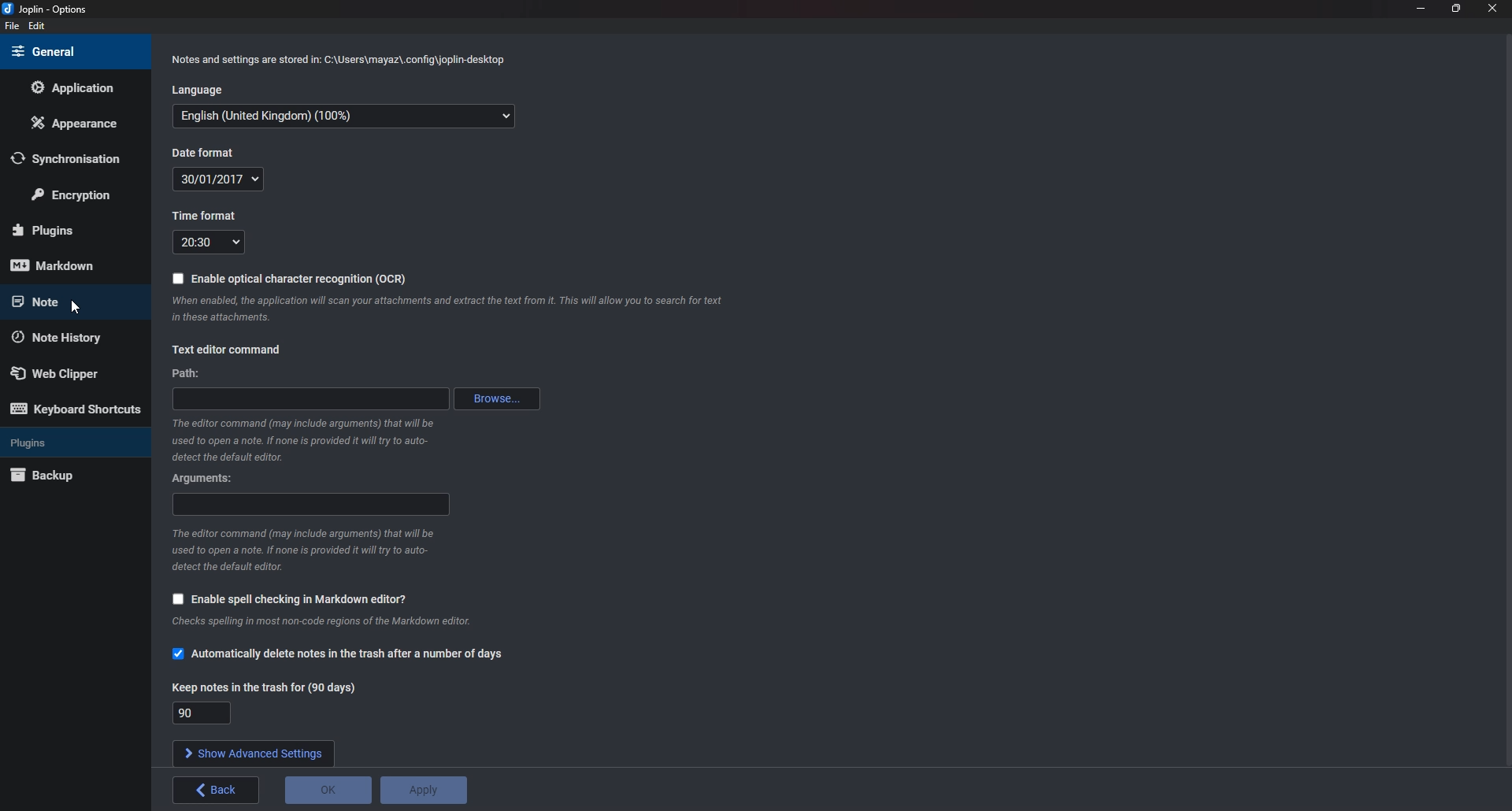 Image resolution: width=1512 pixels, height=811 pixels. What do you see at coordinates (69, 266) in the screenshot?
I see `mark down` at bounding box center [69, 266].